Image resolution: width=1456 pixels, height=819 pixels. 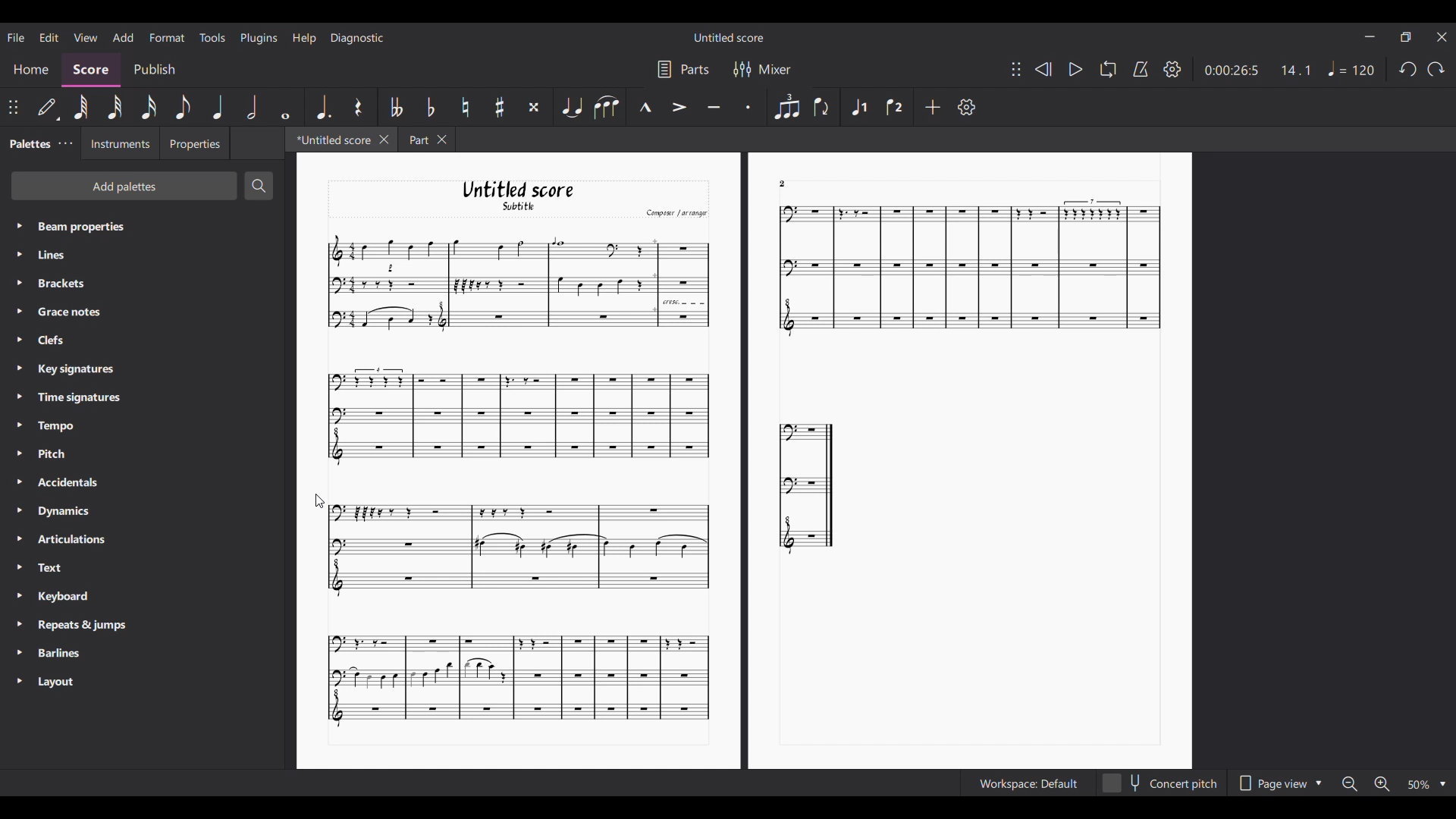 What do you see at coordinates (49, 572) in the screenshot?
I see `> Text` at bounding box center [49, 572].